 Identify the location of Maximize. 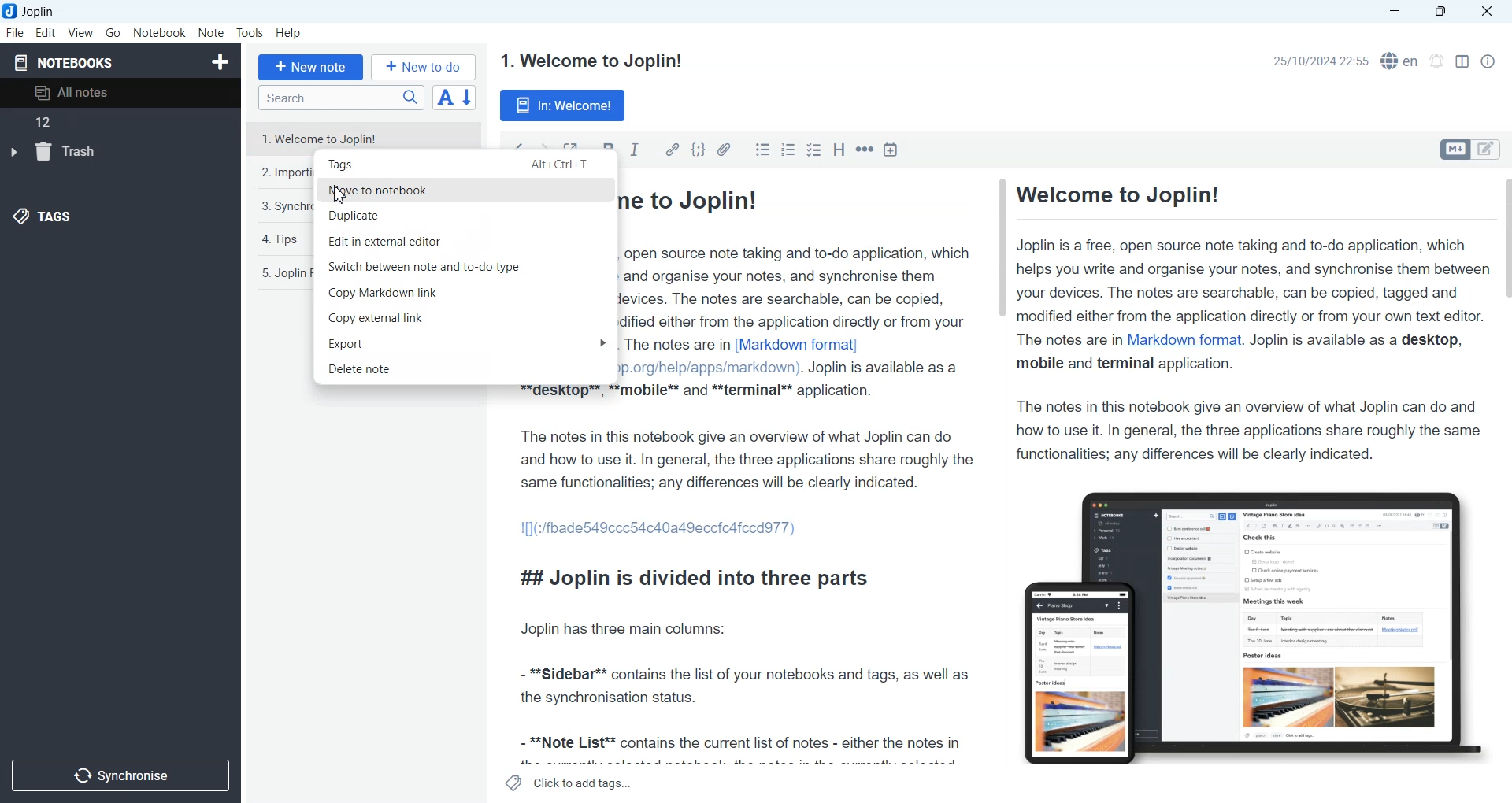
(1443, 12).